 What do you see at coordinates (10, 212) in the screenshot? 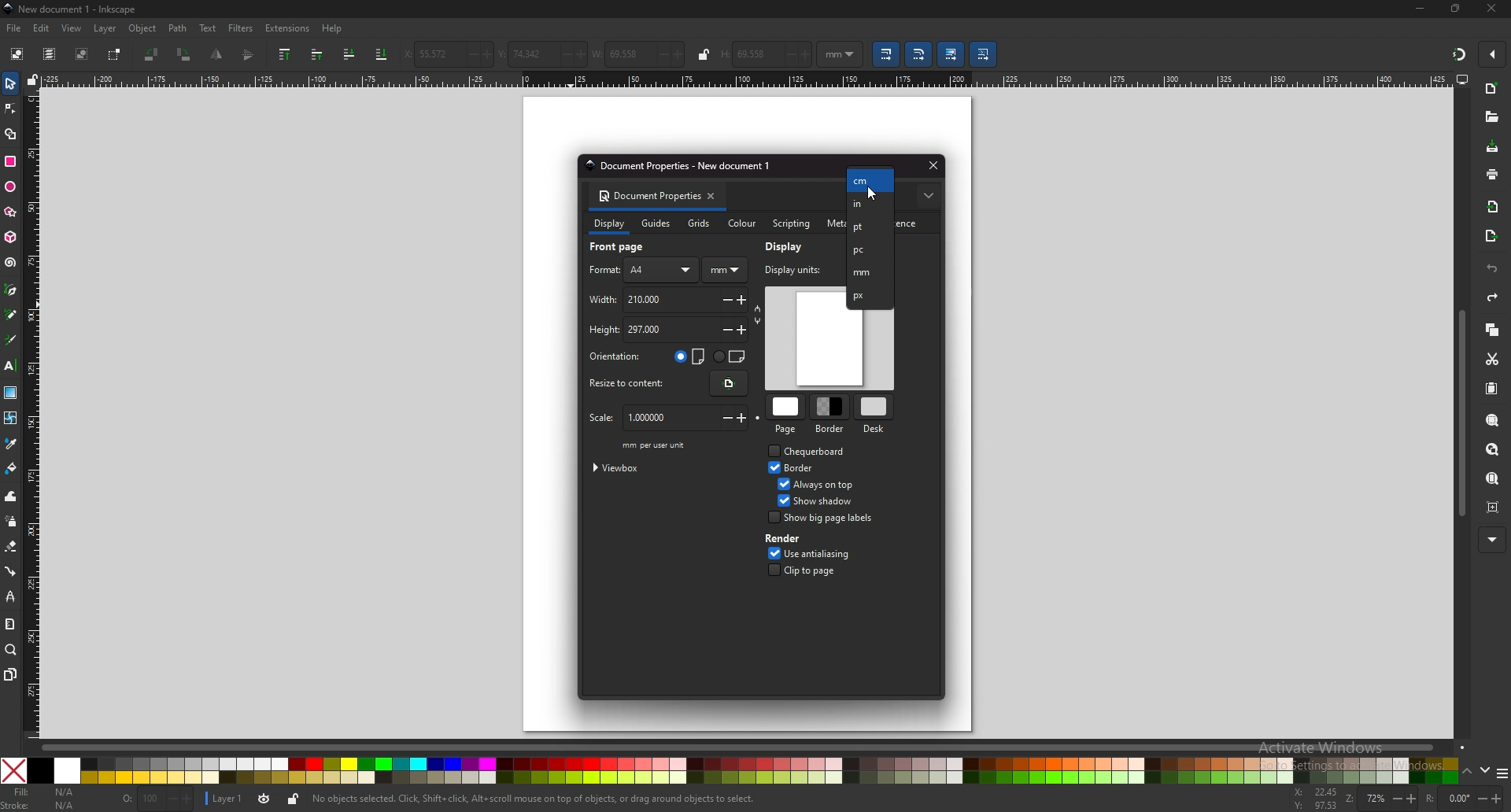
I see `polygon` at bounding box center [10, 212].